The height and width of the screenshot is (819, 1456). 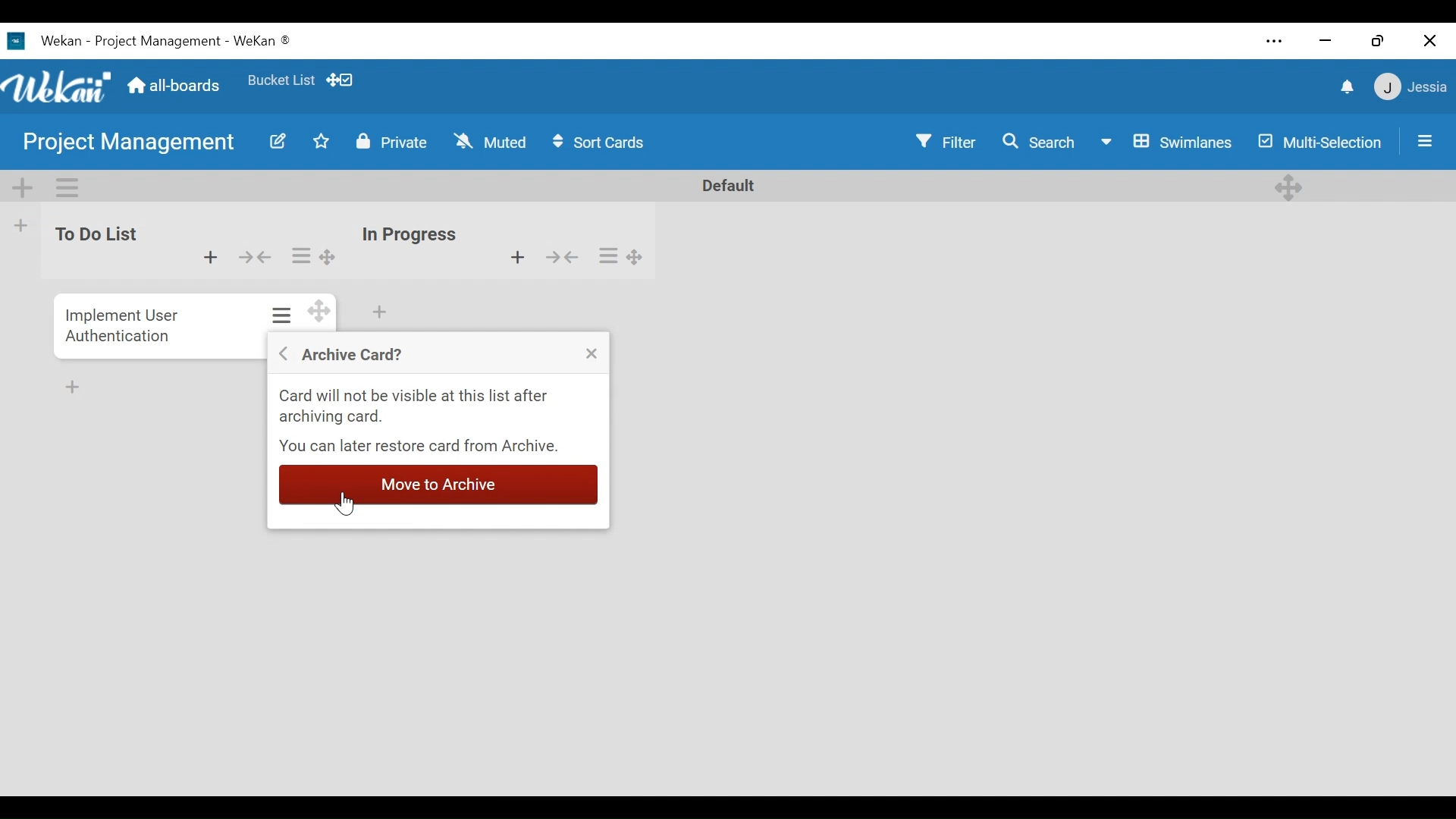 I want to click on to do list, so click(x=97, y=243).